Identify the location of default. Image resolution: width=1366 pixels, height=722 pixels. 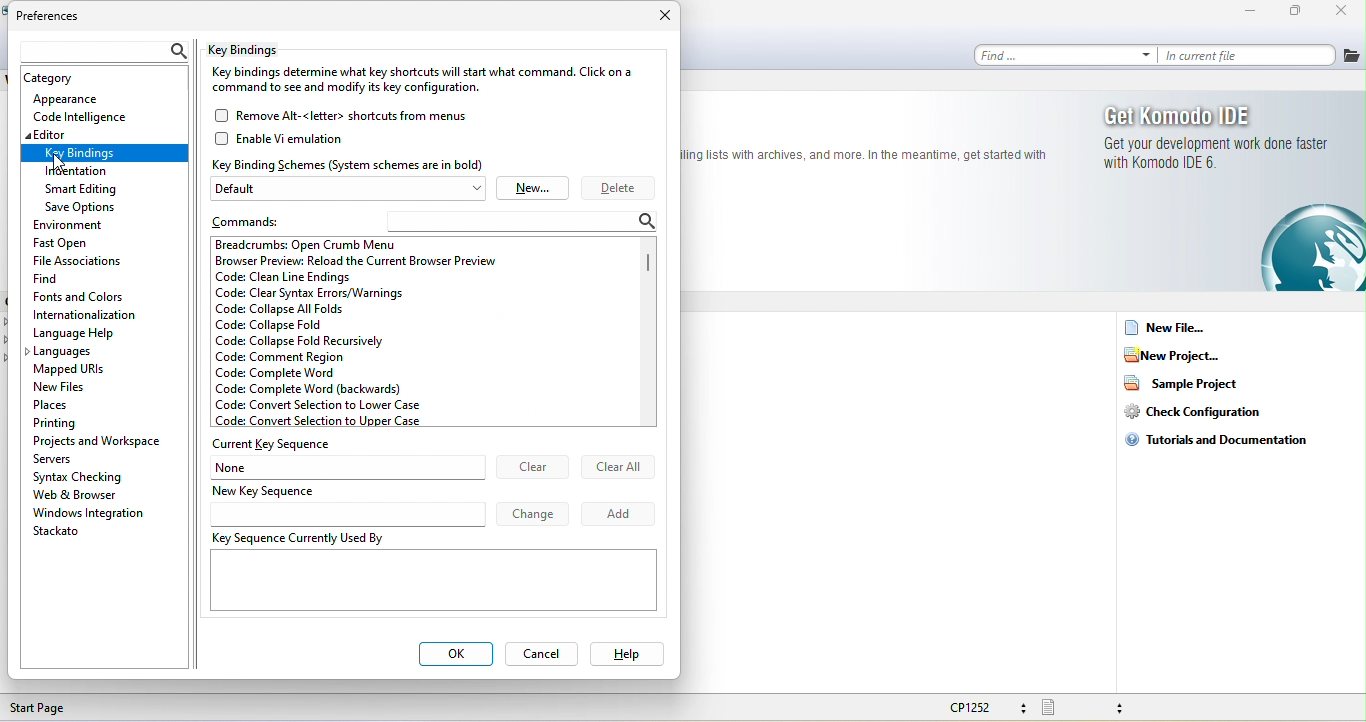
(351, 189).